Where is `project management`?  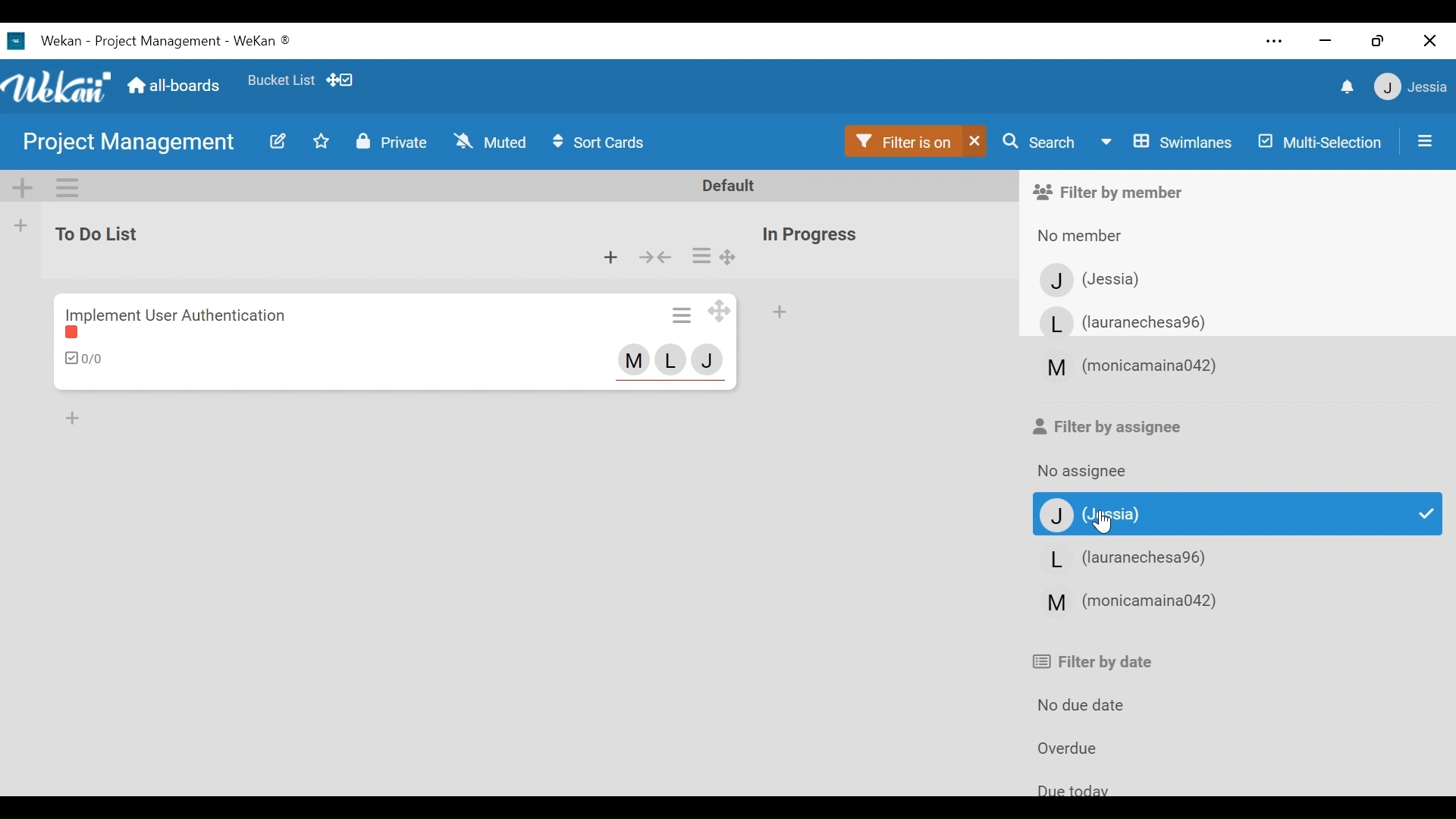
project management is located at coordinates (128, 141).